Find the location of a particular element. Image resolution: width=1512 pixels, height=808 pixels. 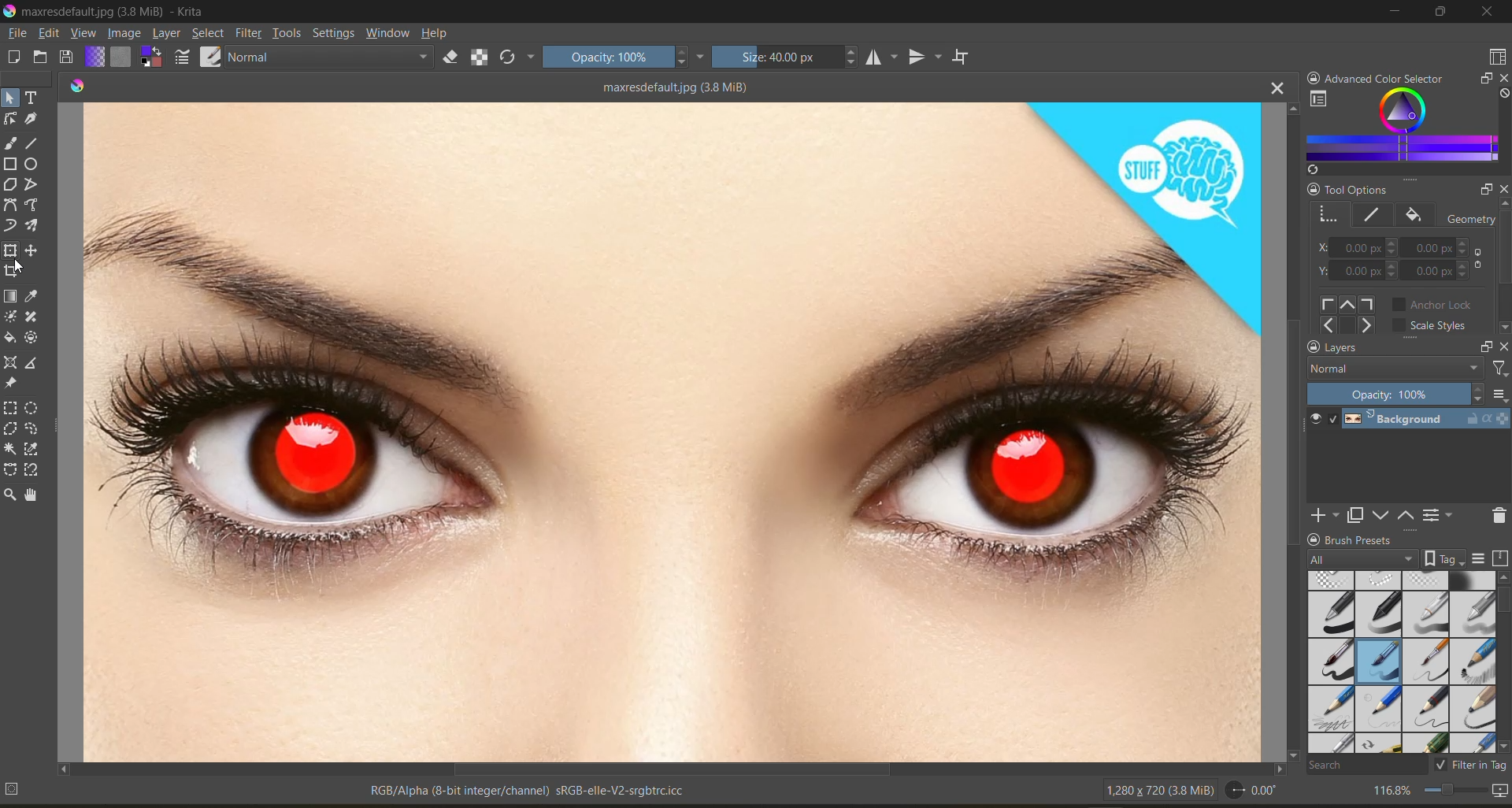

float docker is located at coordinates (1483, 189).